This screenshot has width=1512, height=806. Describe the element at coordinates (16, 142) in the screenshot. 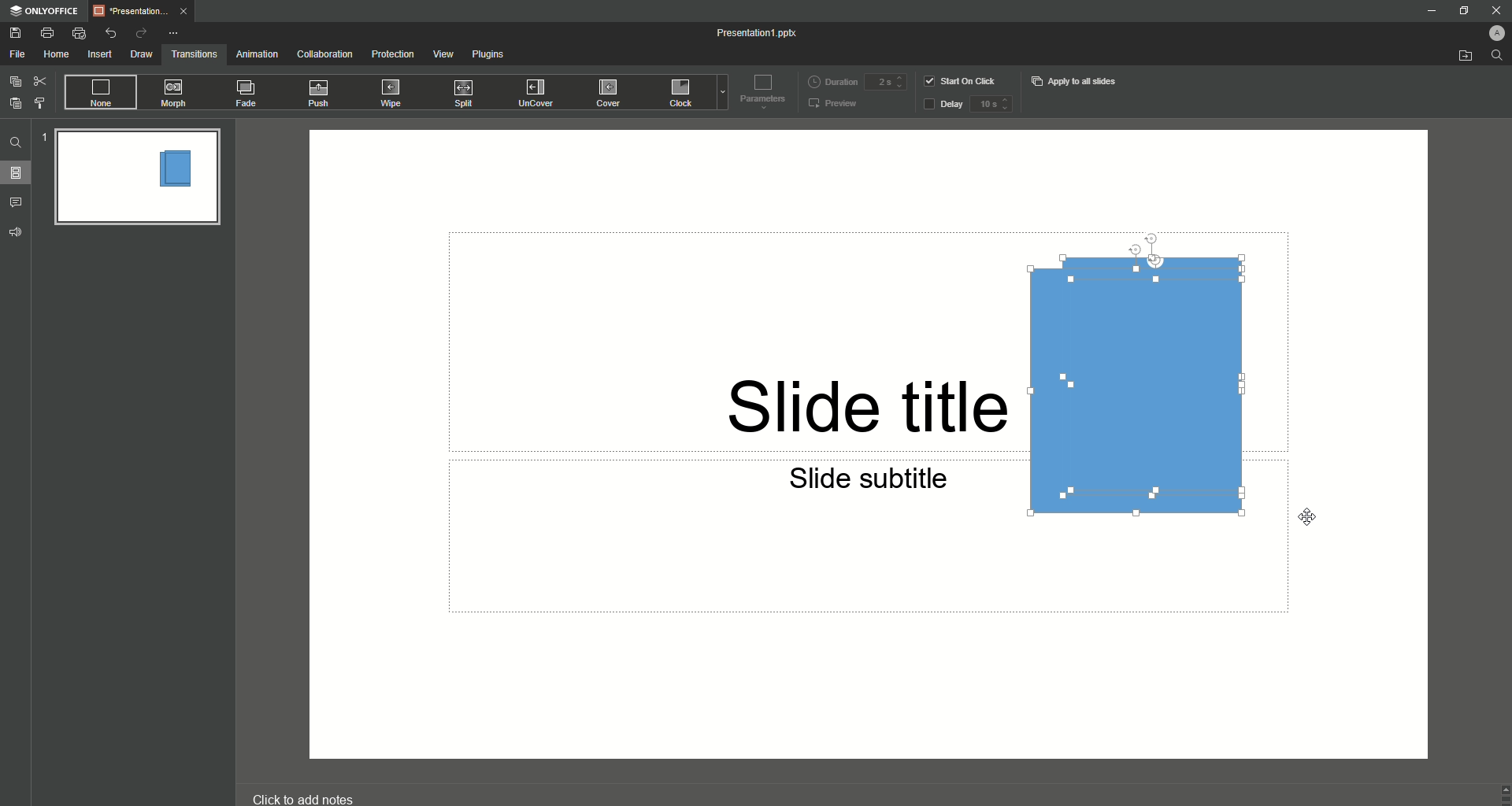

I see `Find` at that location.